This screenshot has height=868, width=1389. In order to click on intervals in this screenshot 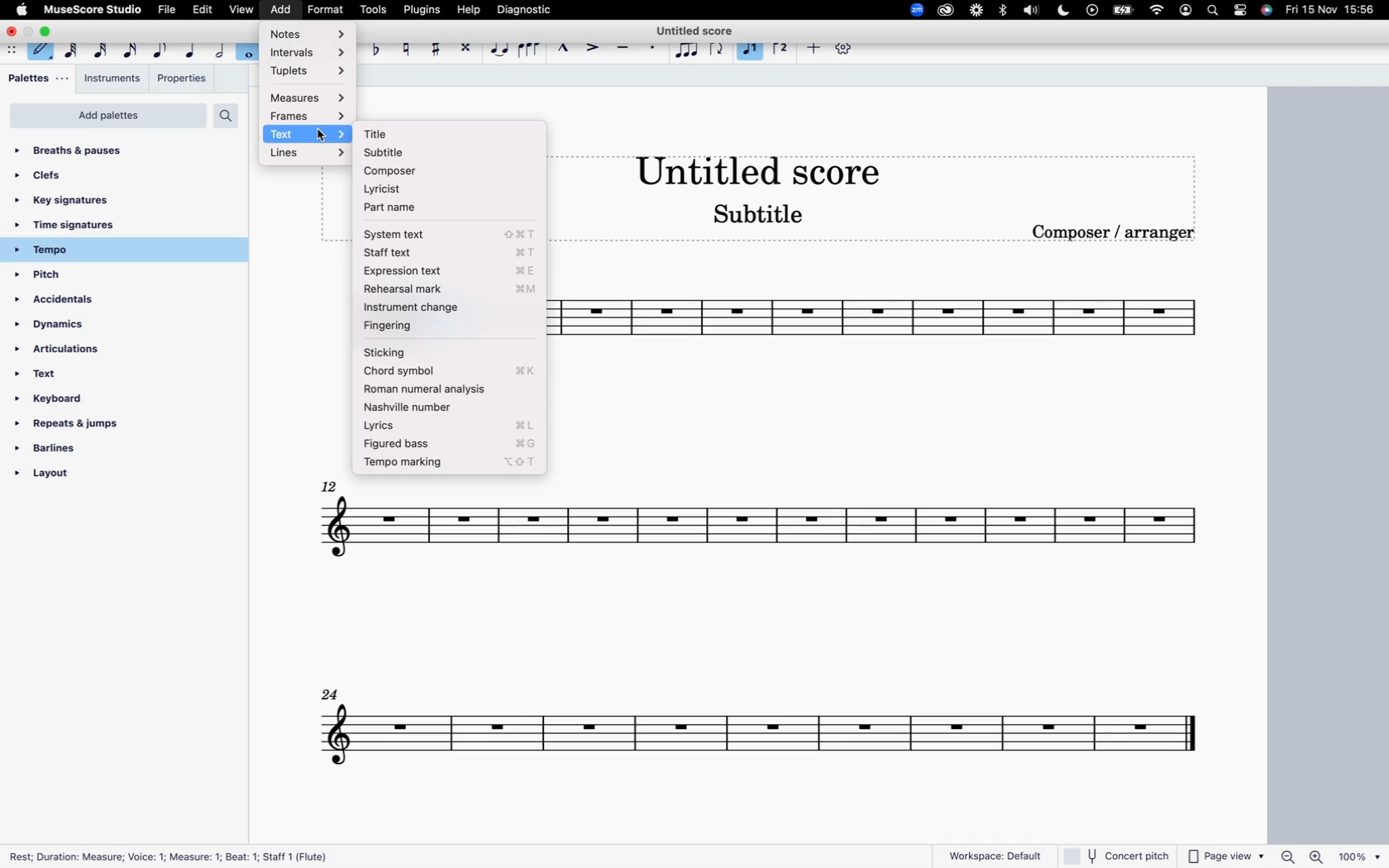, I will do `click(310, 53)`.